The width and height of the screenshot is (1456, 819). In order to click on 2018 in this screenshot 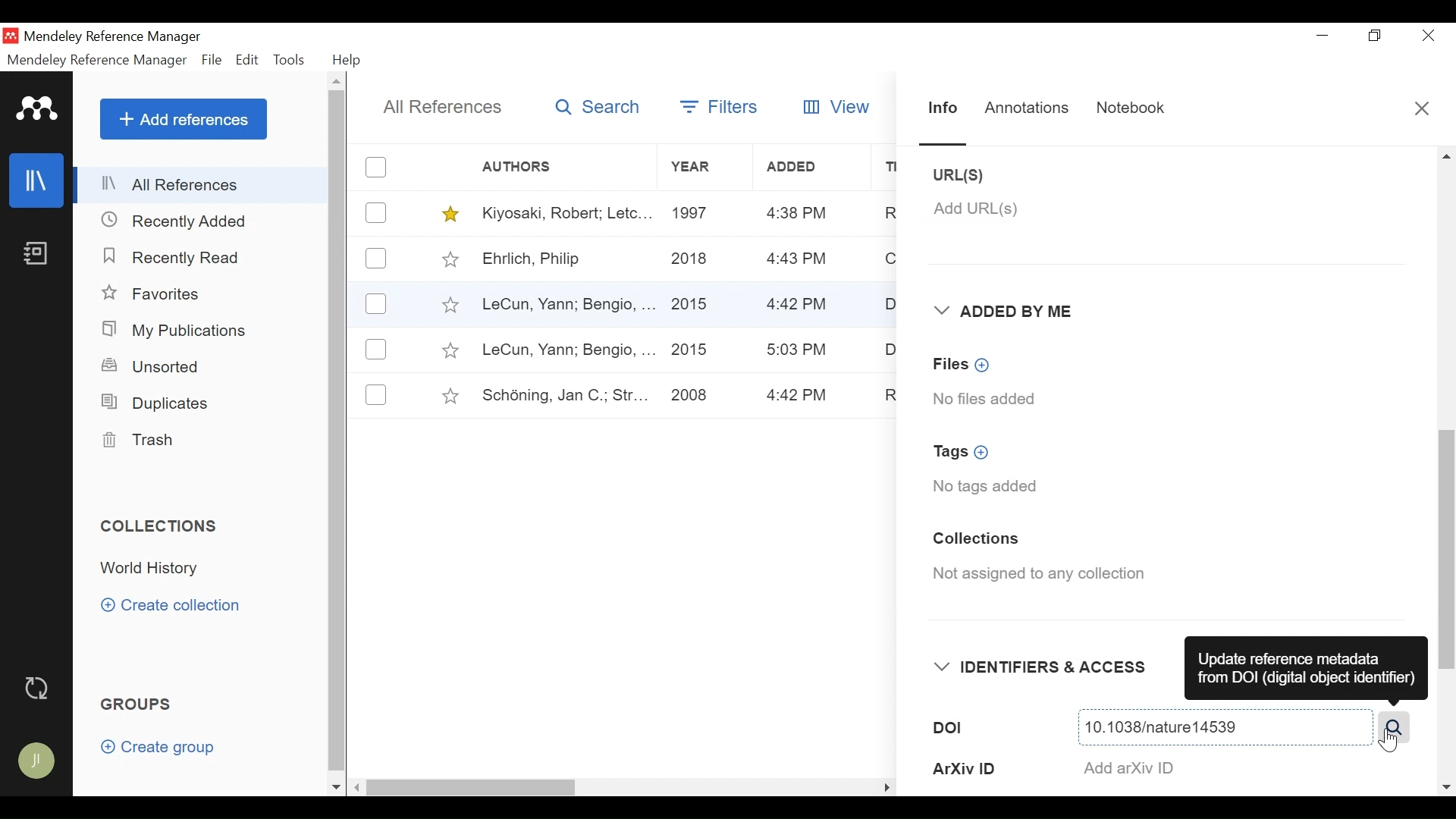, I will do `click(691, 260)`.